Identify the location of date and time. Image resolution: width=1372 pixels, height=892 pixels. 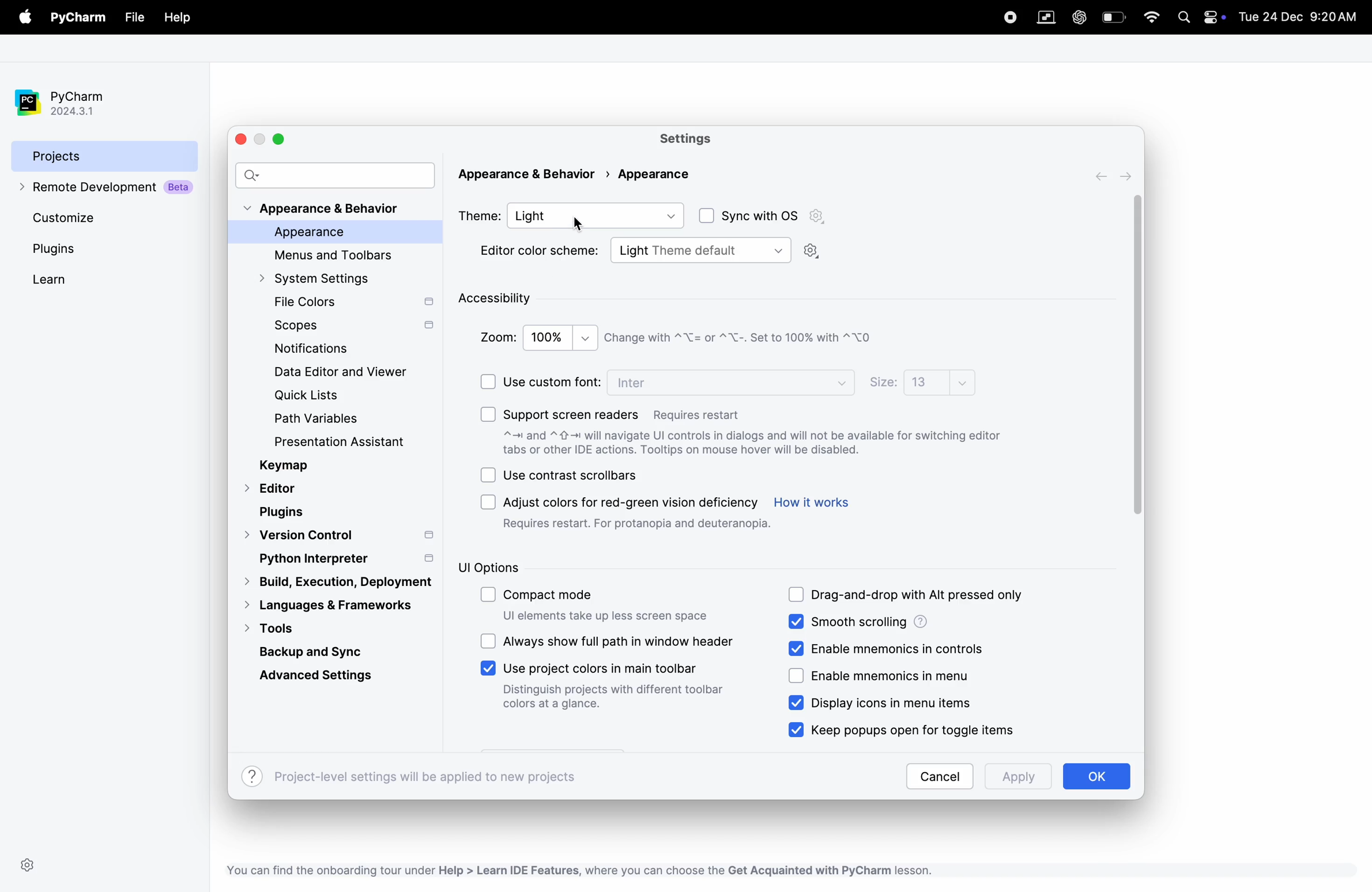
(1301, 16).